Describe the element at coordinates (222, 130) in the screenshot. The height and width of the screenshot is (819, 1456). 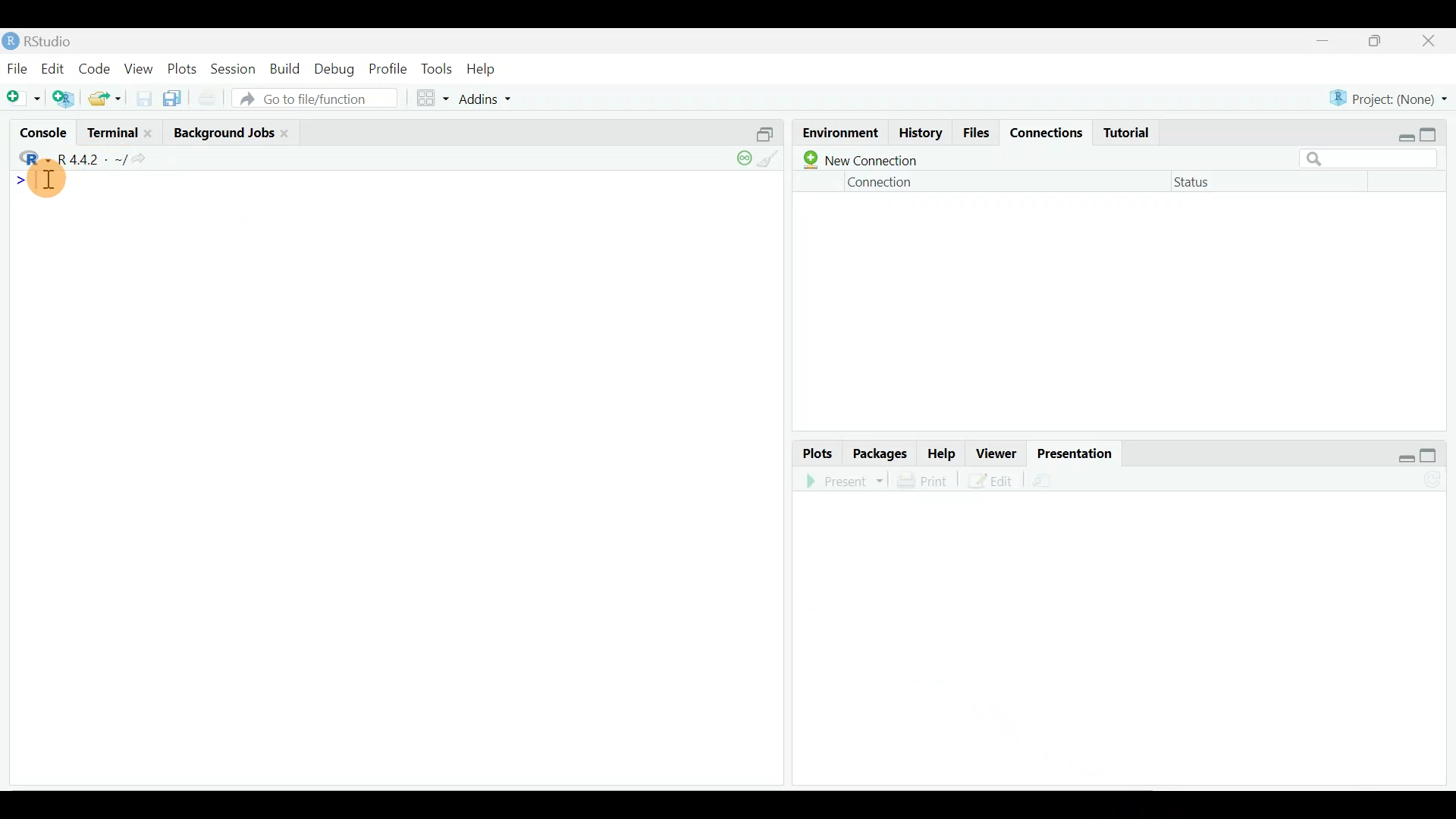
I see `Background jobs` at that location.